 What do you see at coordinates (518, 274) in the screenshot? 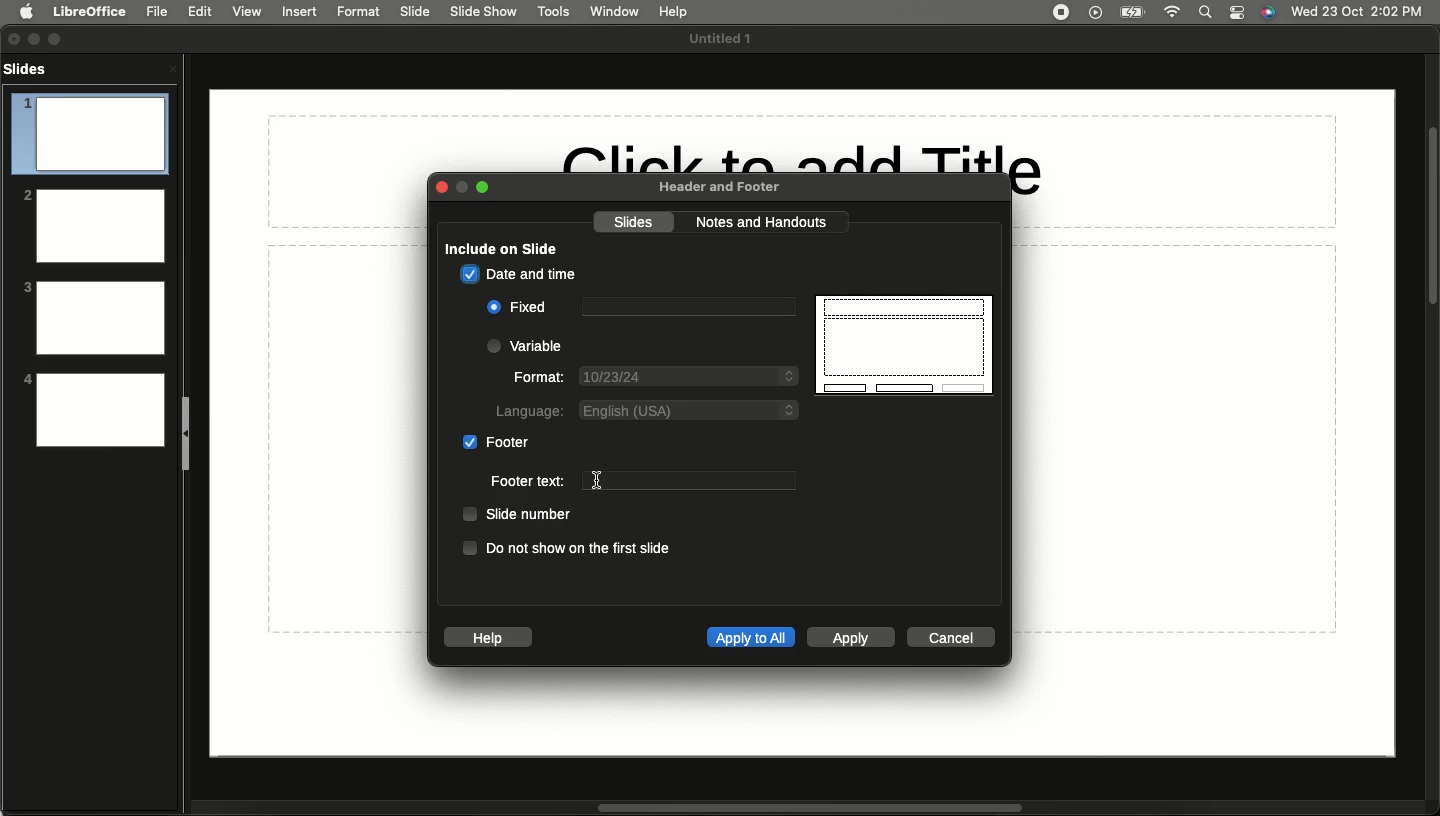
I see `Date and time` at bounding box center [518, 274].